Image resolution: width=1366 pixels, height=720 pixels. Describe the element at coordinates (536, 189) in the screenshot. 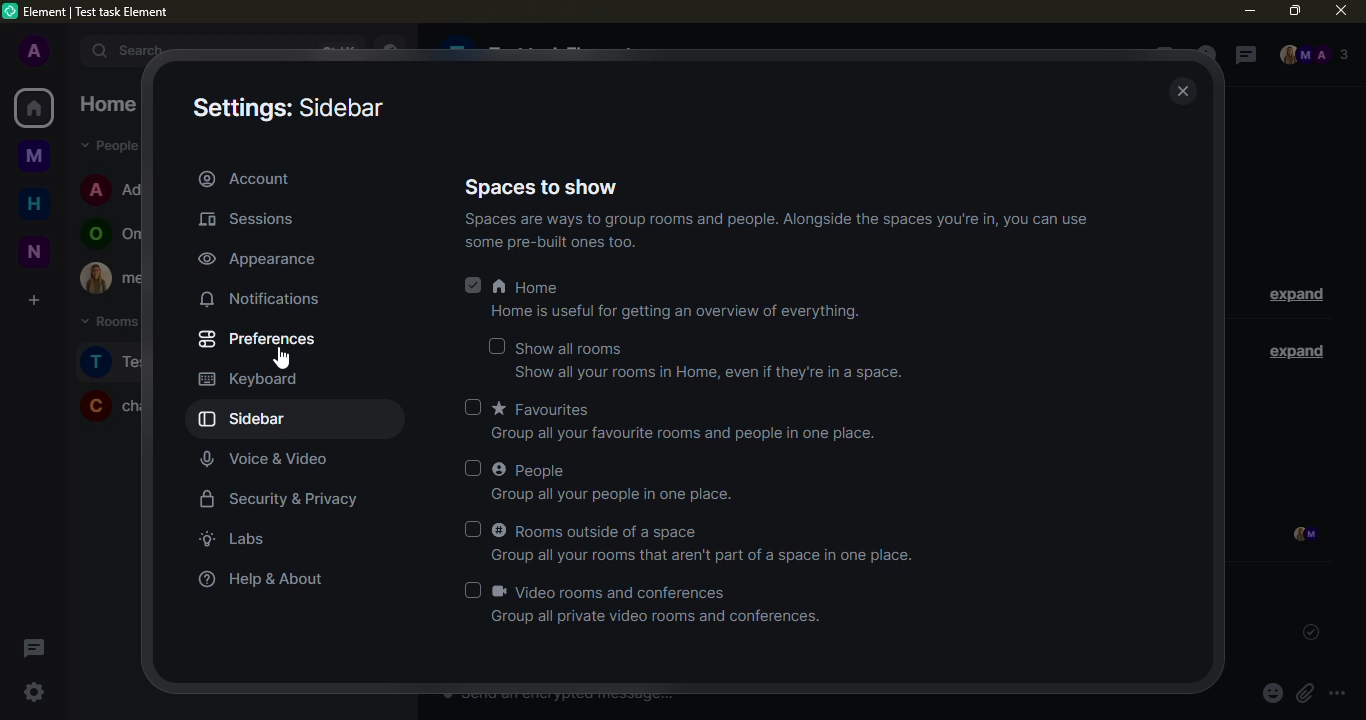

I see `spaces to show` at that location.